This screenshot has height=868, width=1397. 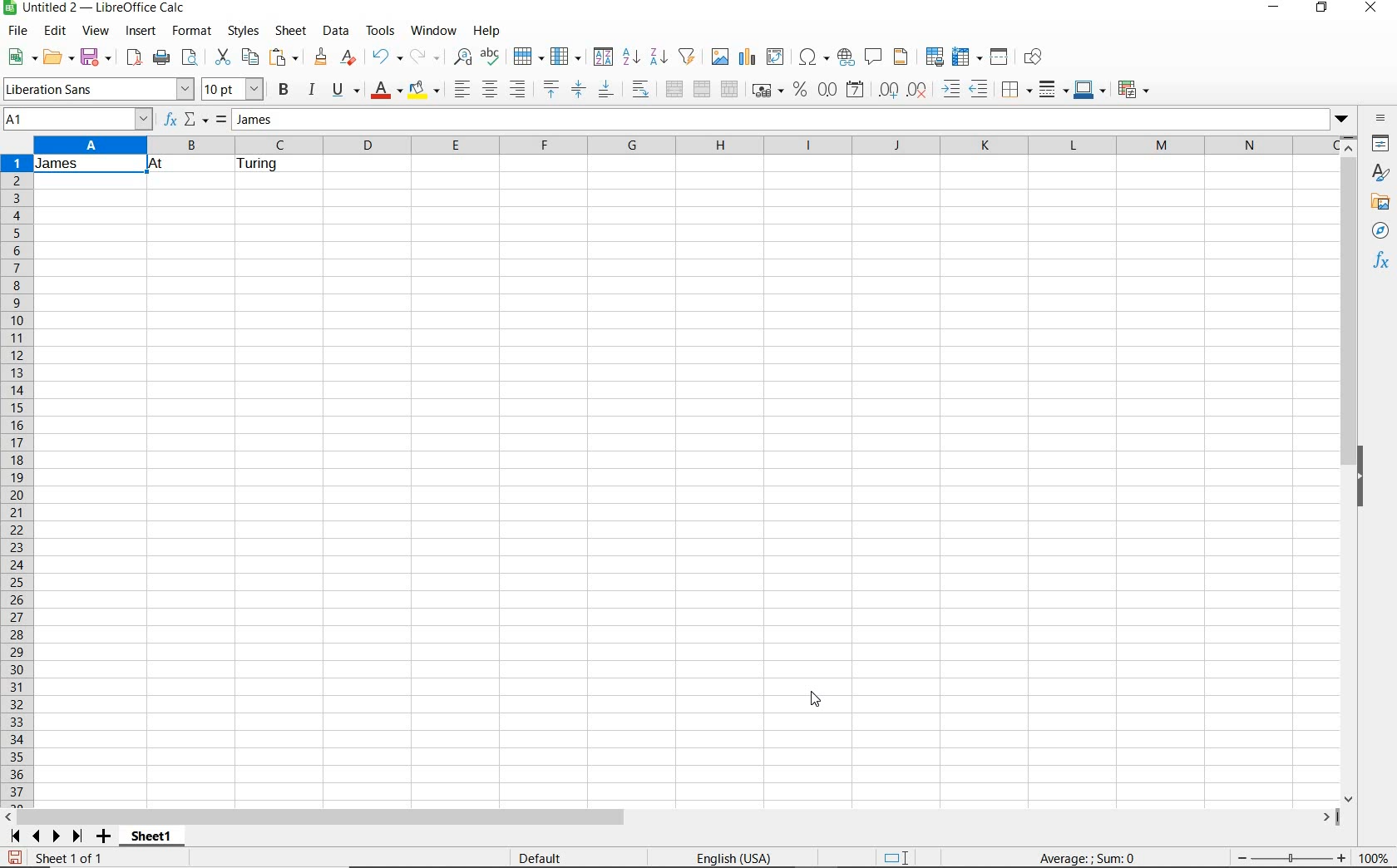 I want to click on gallery, so click(x=1380, y=204).